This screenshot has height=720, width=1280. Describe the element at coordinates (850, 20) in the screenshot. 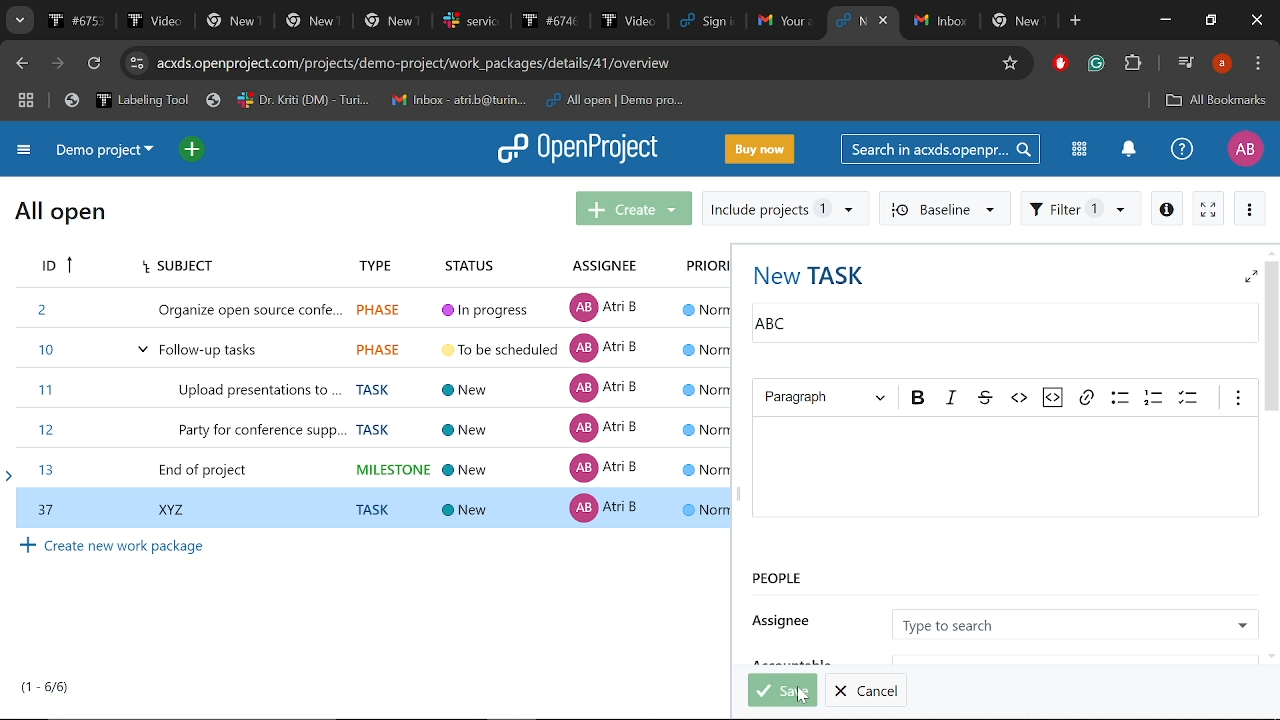

I see `Search tabs` at that location.